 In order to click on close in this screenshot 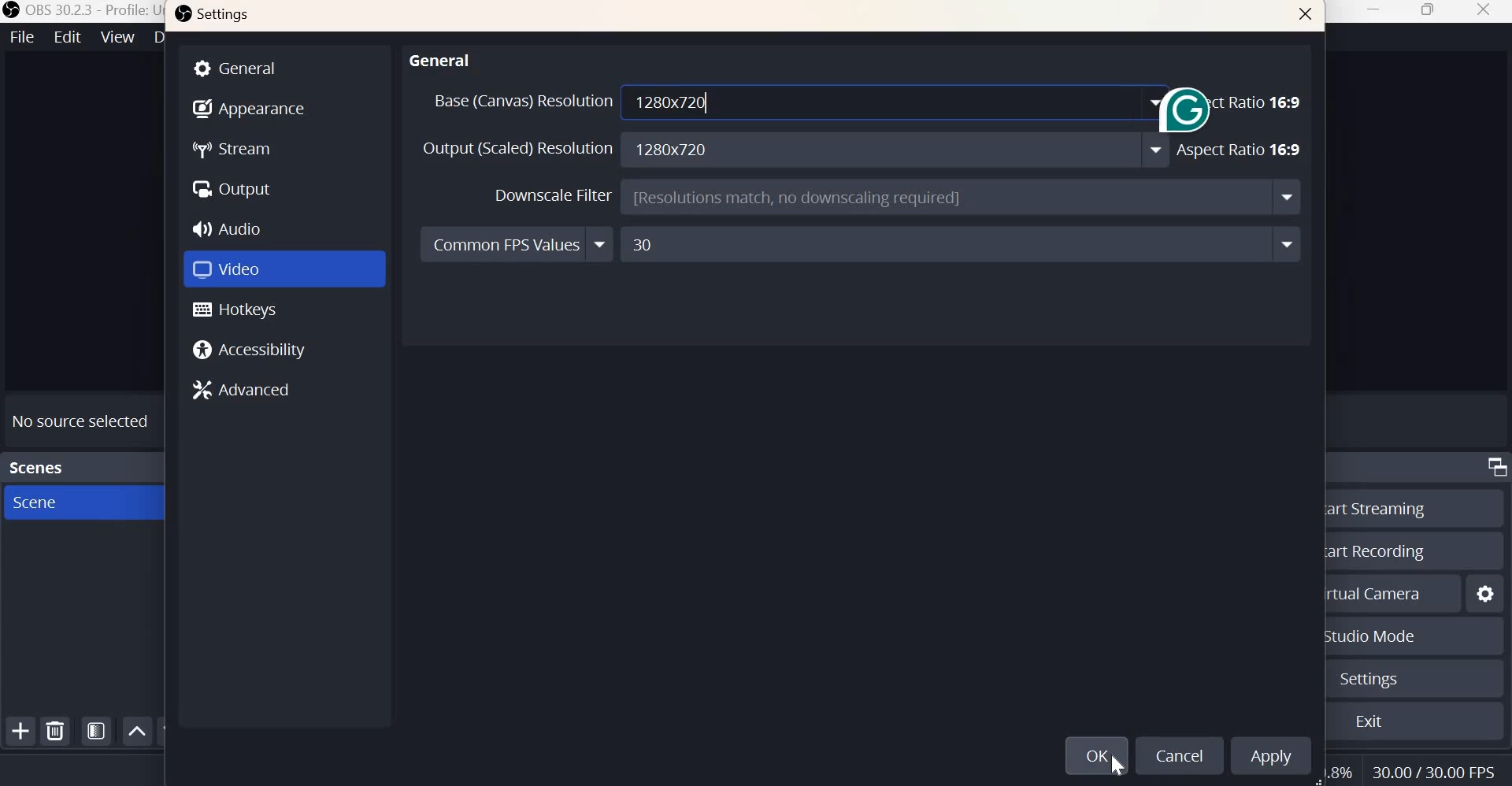, I will do `click(1306, 17)`.